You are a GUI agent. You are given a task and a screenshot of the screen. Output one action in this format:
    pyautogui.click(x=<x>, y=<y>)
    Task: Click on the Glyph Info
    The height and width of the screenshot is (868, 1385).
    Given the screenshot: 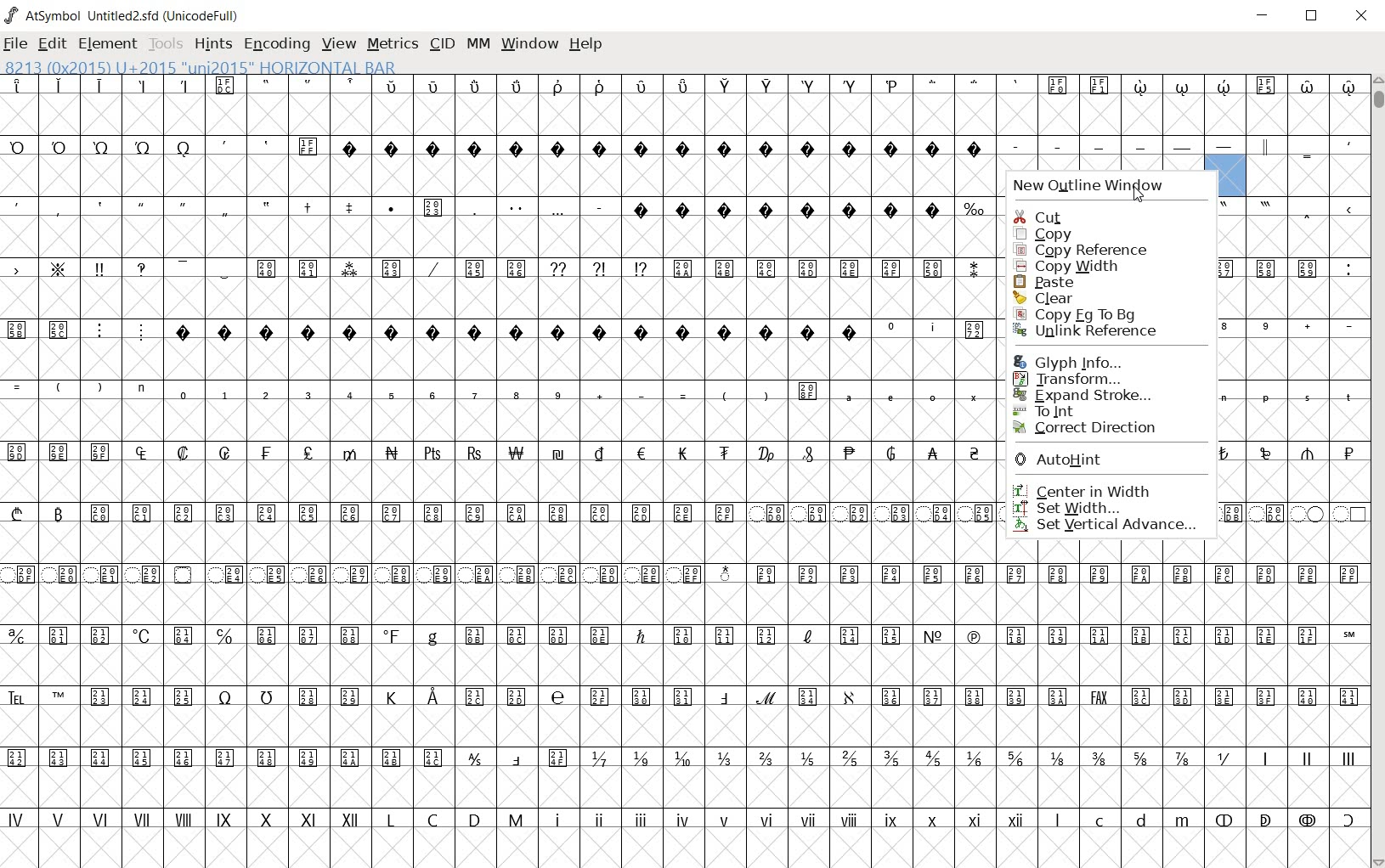 What is the action you would take?
    pyautogui.click(x=1078, y=362)
    